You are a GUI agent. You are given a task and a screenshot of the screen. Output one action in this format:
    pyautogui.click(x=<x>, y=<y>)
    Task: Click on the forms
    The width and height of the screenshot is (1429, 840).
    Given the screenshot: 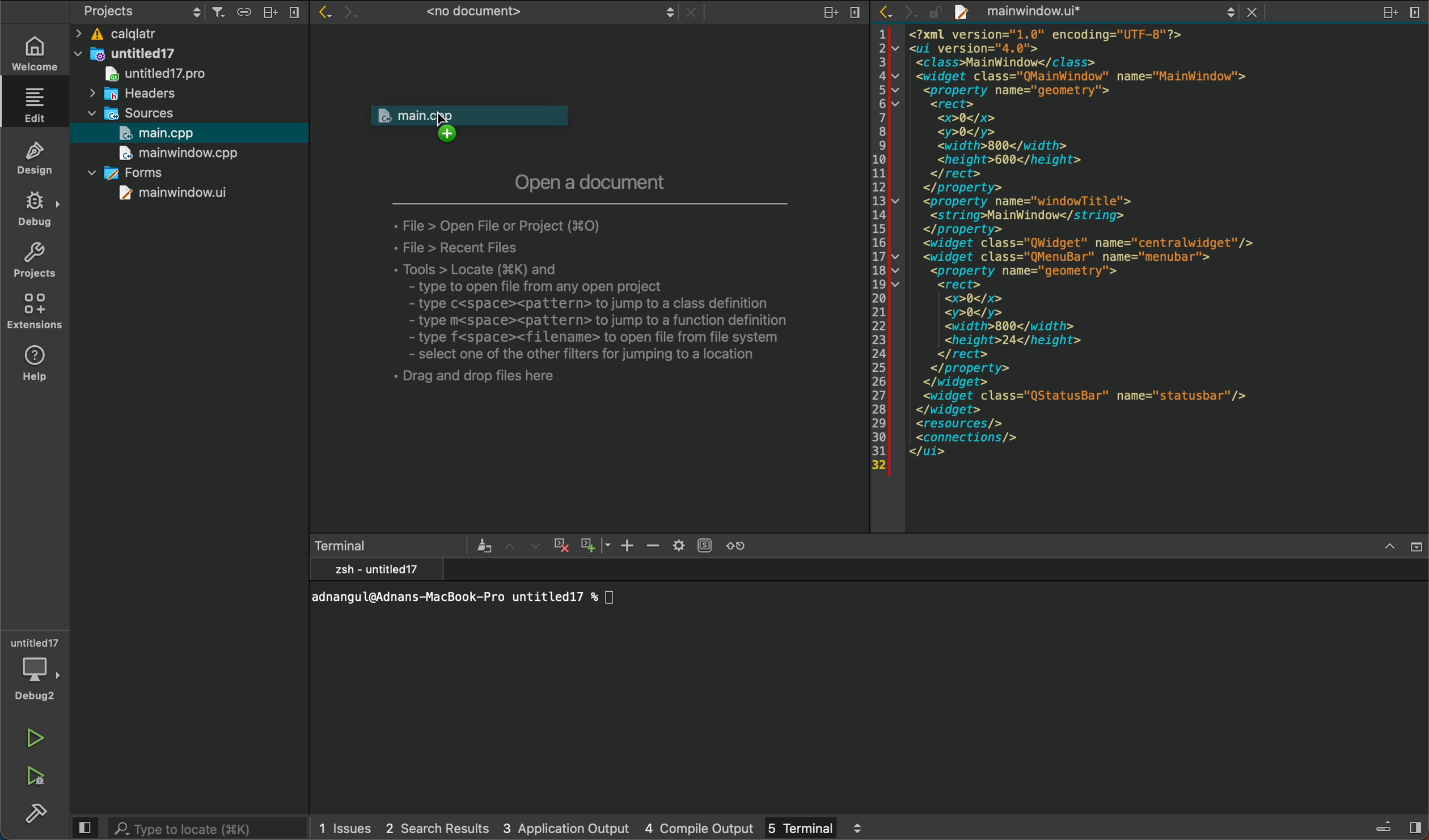 What is the action you would take?
    pyautogui.click(x=121, y=172)
    